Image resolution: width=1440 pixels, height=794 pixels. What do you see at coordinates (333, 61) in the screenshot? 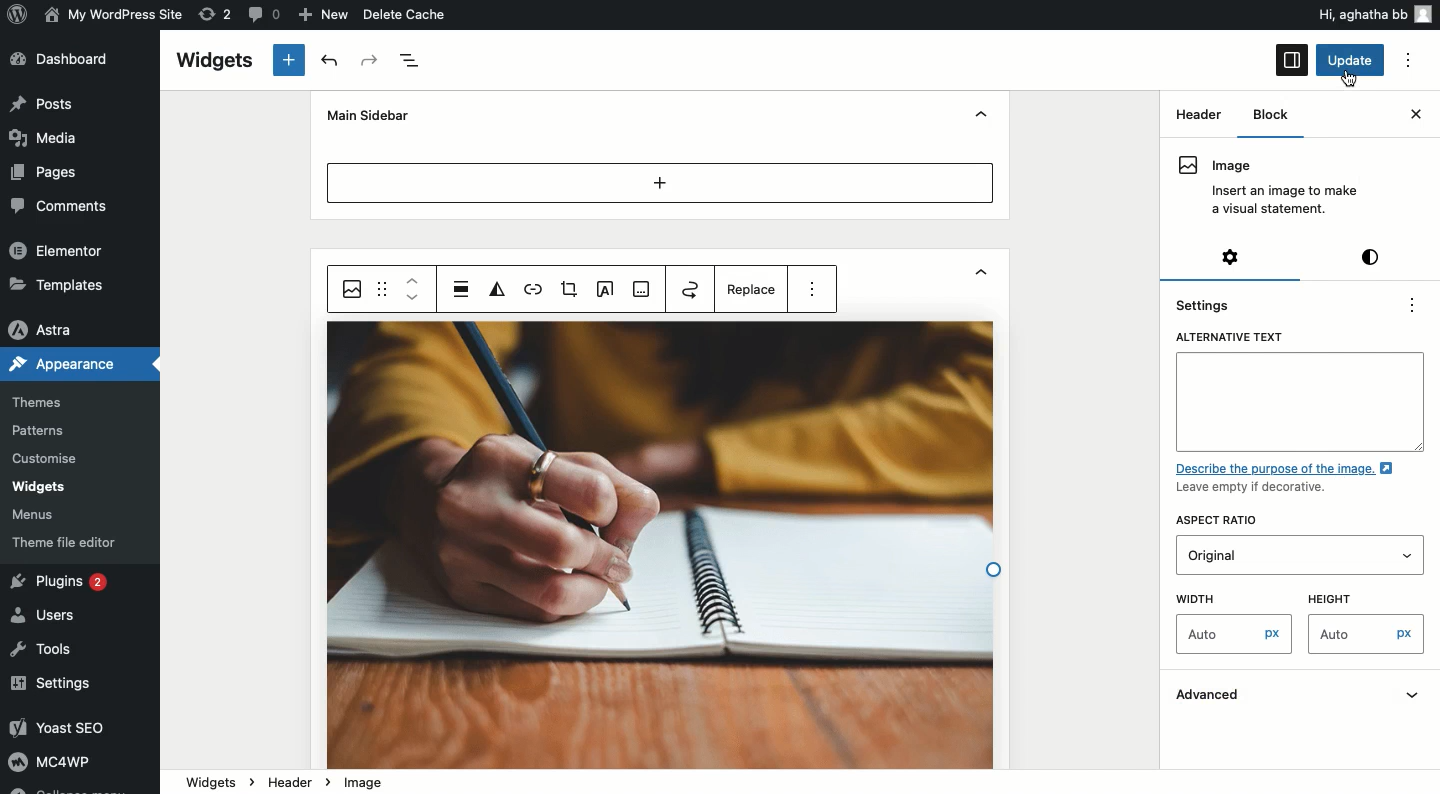
I see `Undo` at bounding box center [333, 61].